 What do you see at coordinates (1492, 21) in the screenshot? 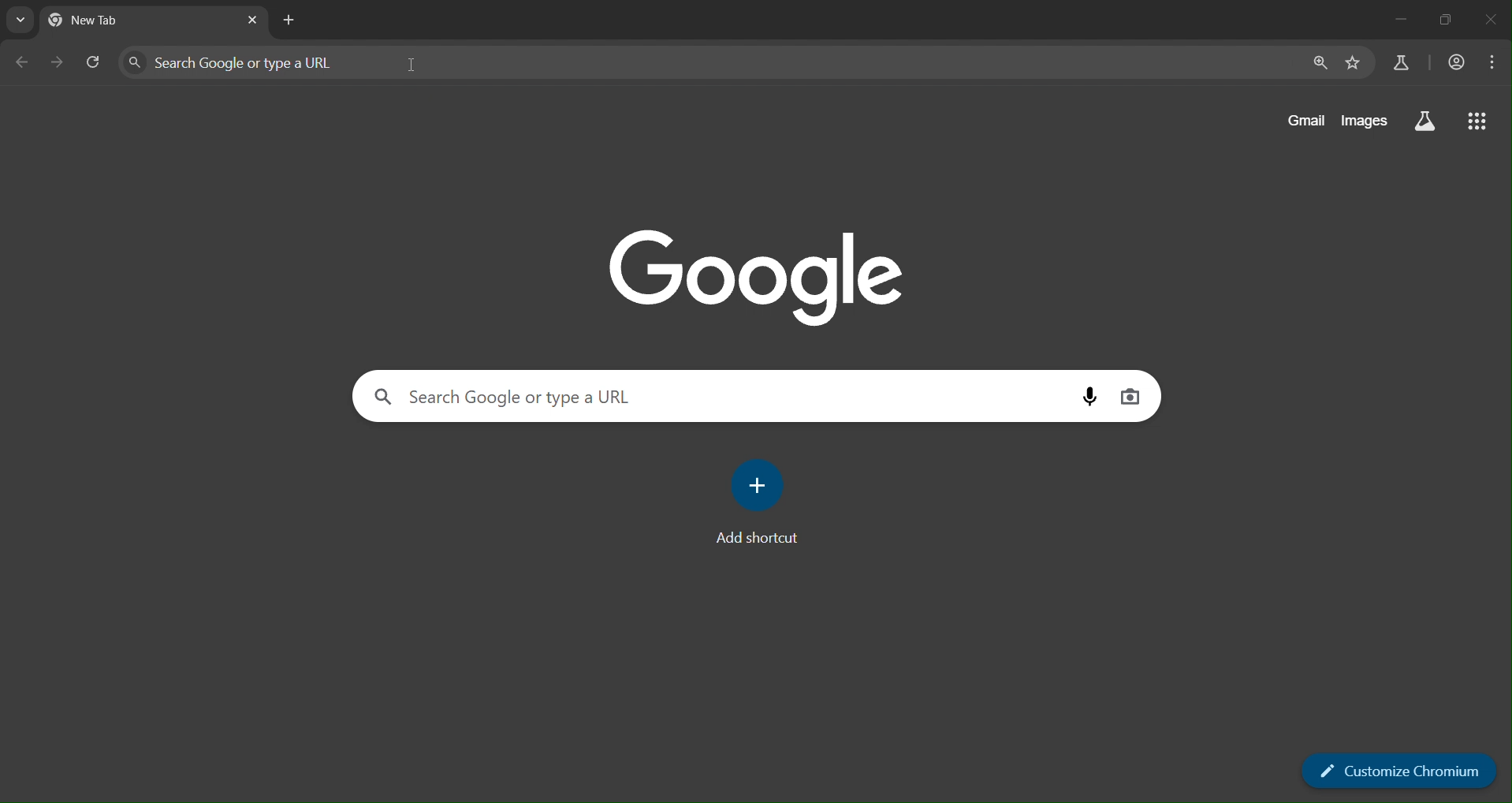
I see `close` at bounding box center [1492, 21].